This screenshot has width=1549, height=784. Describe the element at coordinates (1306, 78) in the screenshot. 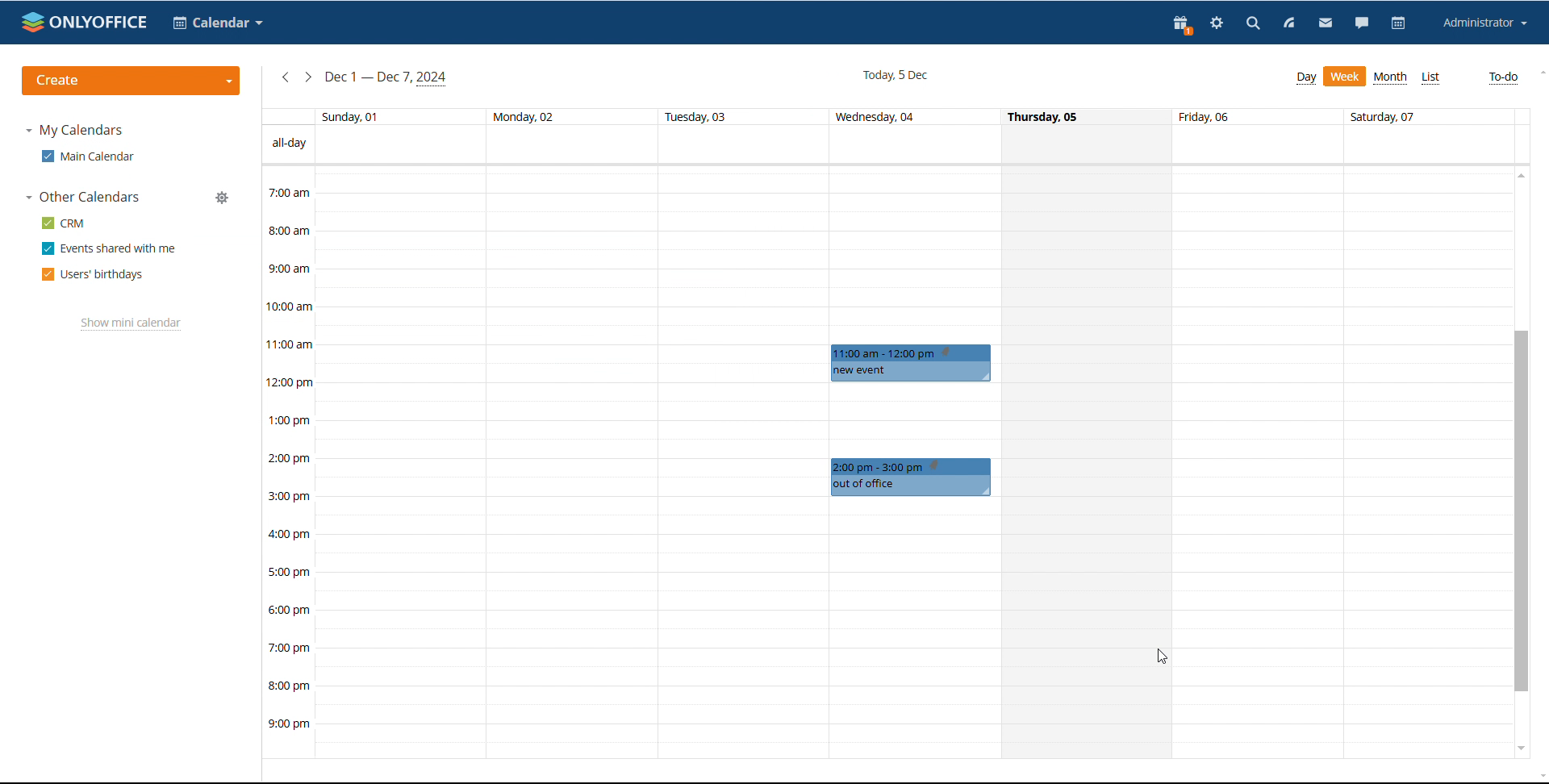

I see `day view` at that location.